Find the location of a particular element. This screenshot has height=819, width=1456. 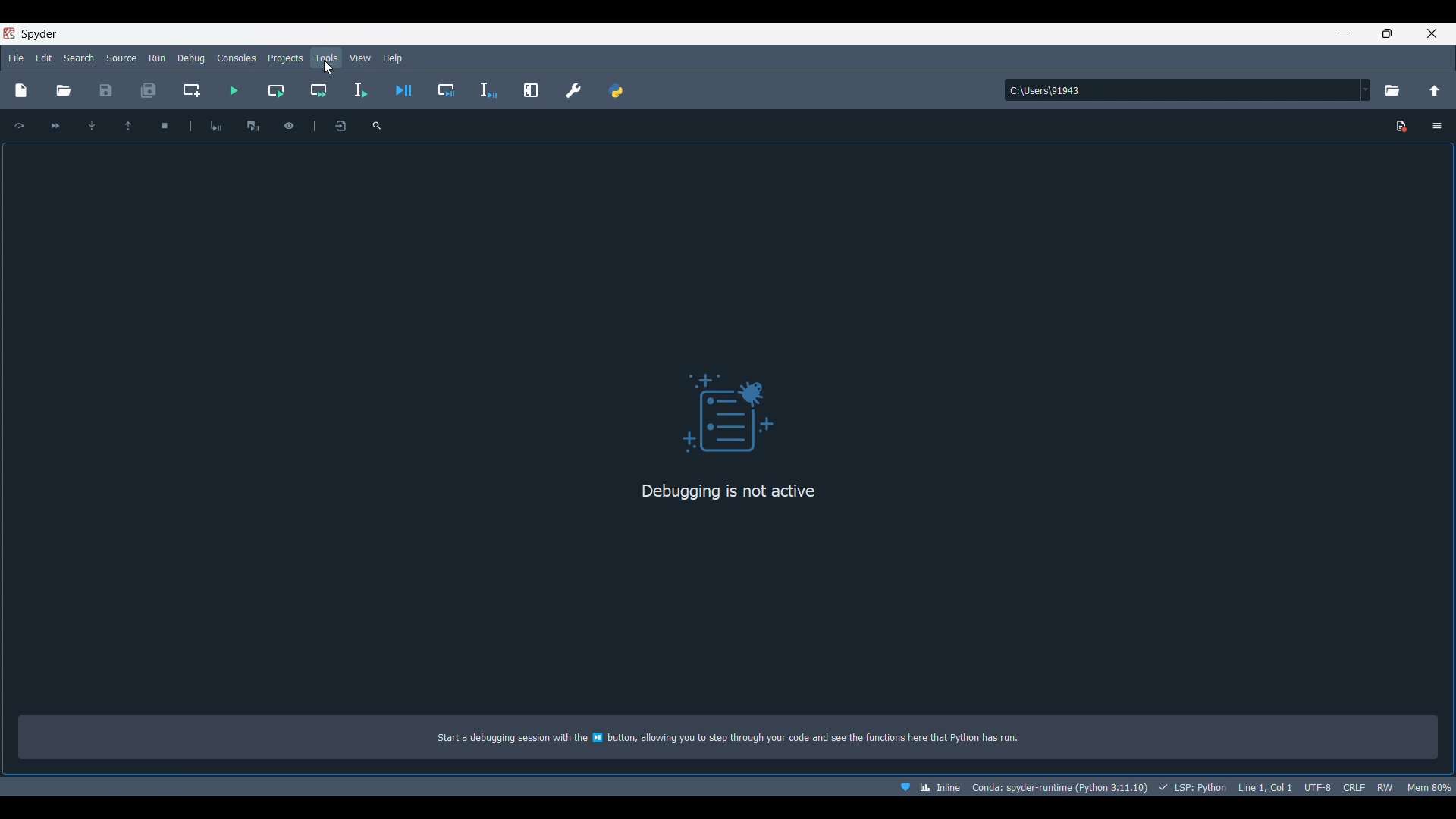

Run current cell and go to the next one is located at coordinates (318, 90).